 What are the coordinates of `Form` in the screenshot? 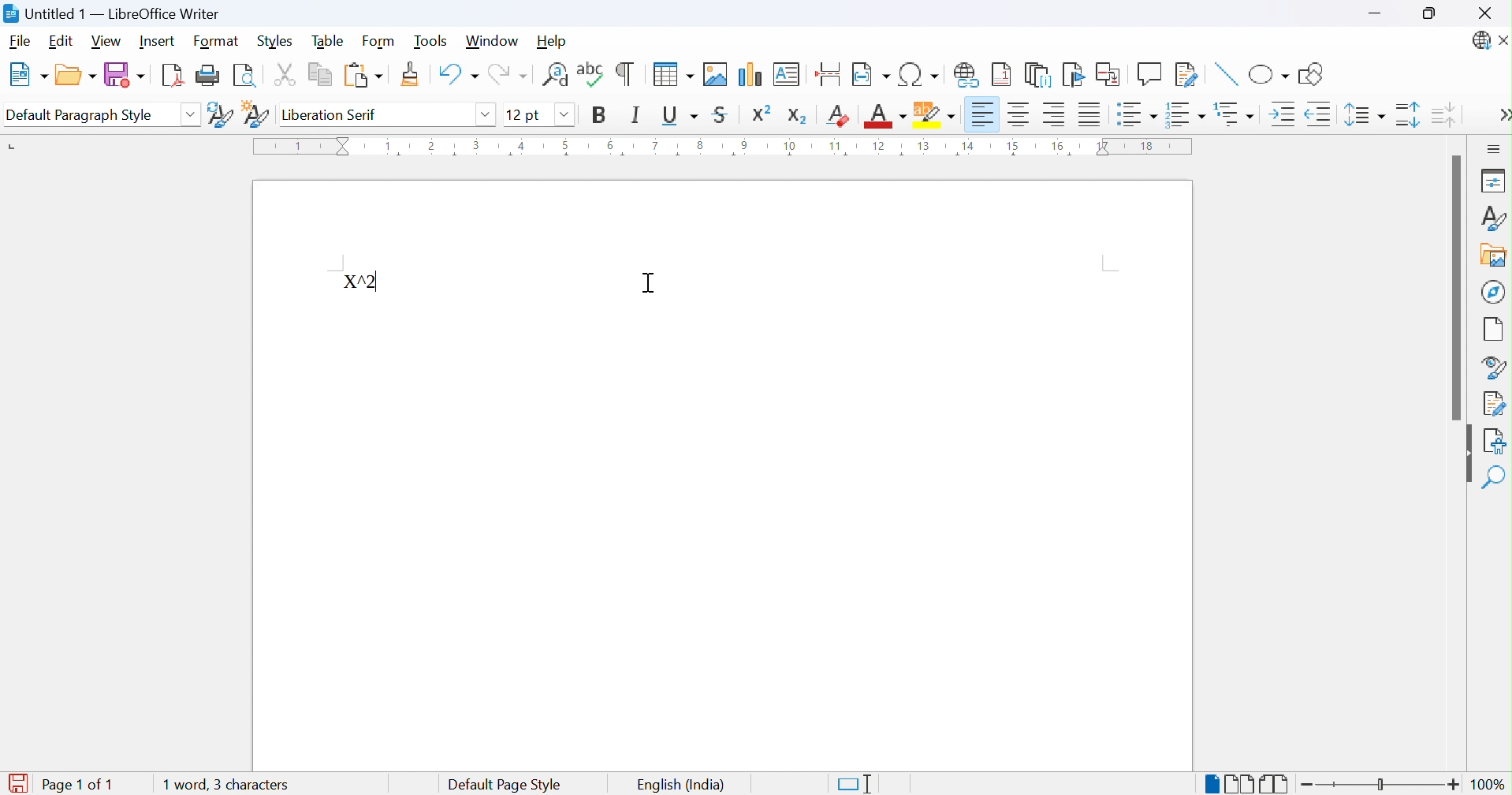 It's located at (381, 39).